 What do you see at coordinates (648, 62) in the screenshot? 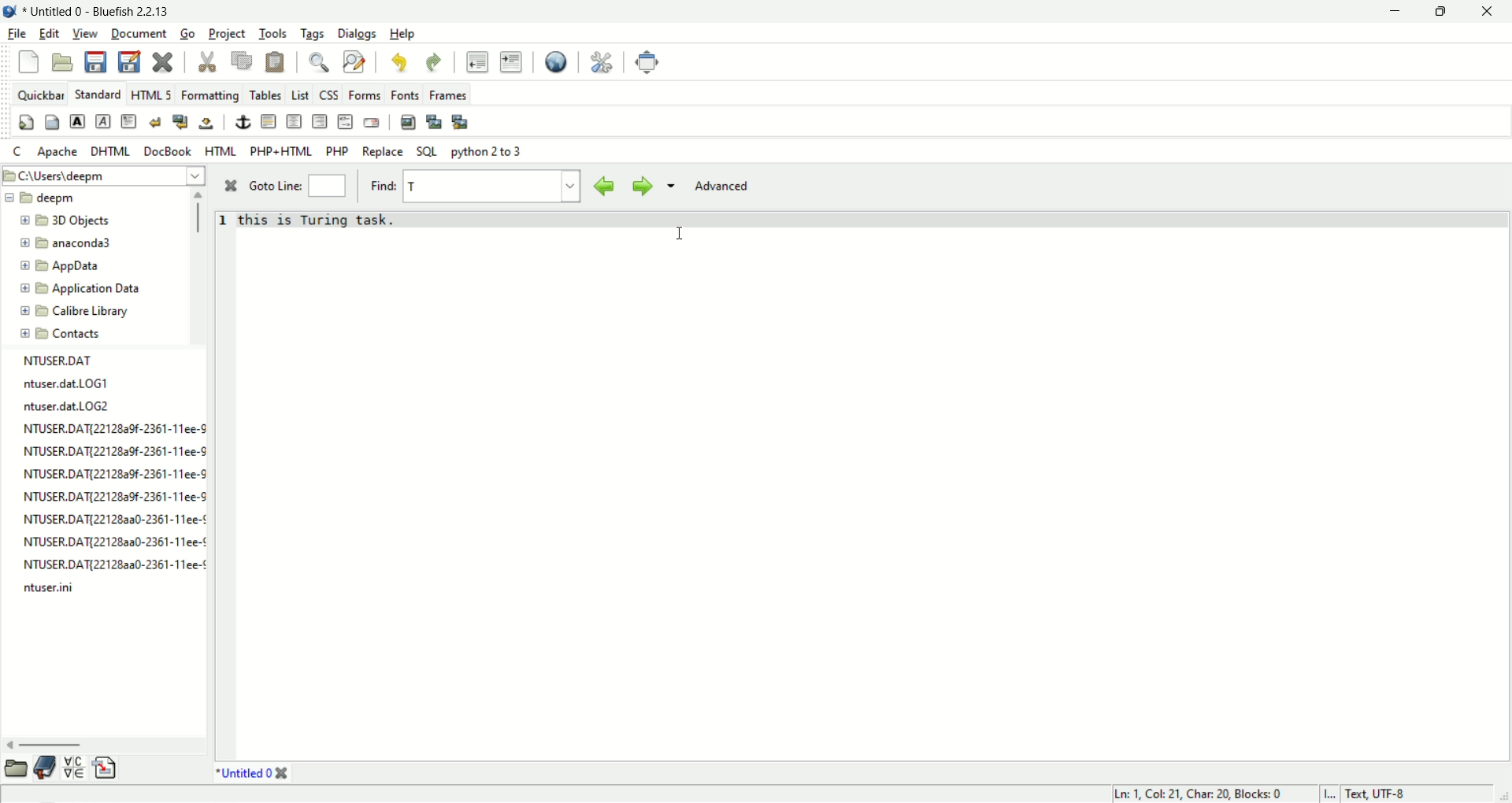
I see `fullscreen` at bounding box center [648, 62].